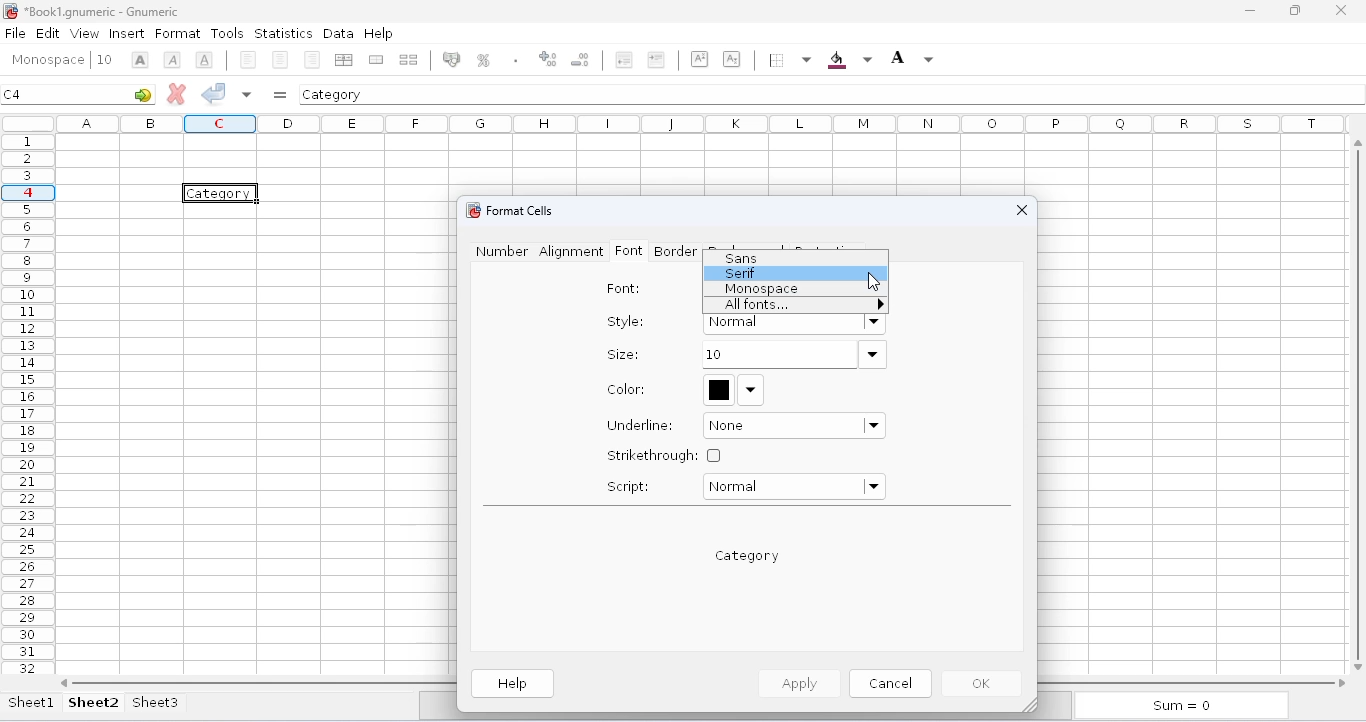 Image resolution: width=1366 pixels, height=722 pixels. I want to click on size:, so click(622, 354).